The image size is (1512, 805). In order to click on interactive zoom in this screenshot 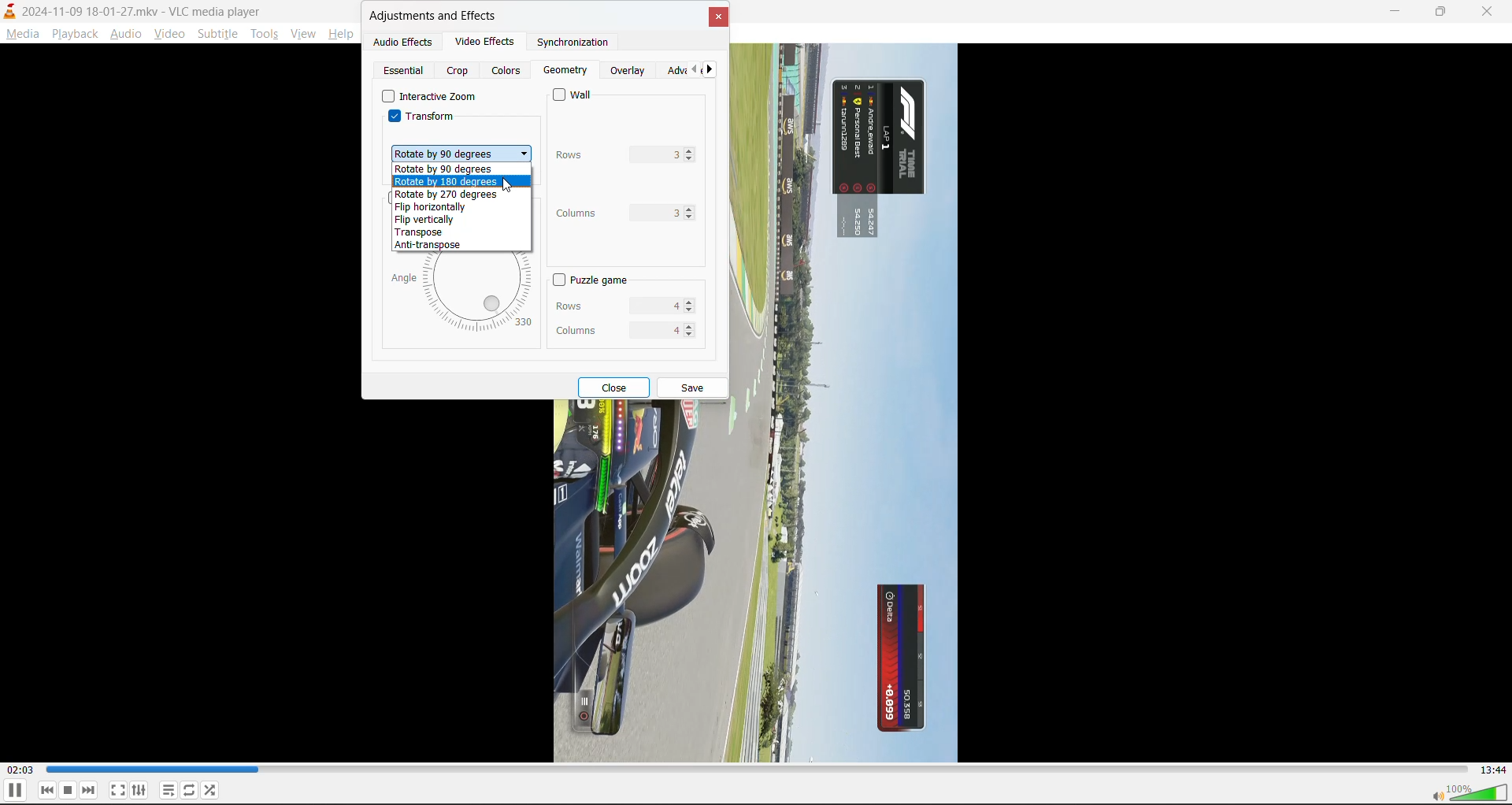, I will do `click(429, 98)`.